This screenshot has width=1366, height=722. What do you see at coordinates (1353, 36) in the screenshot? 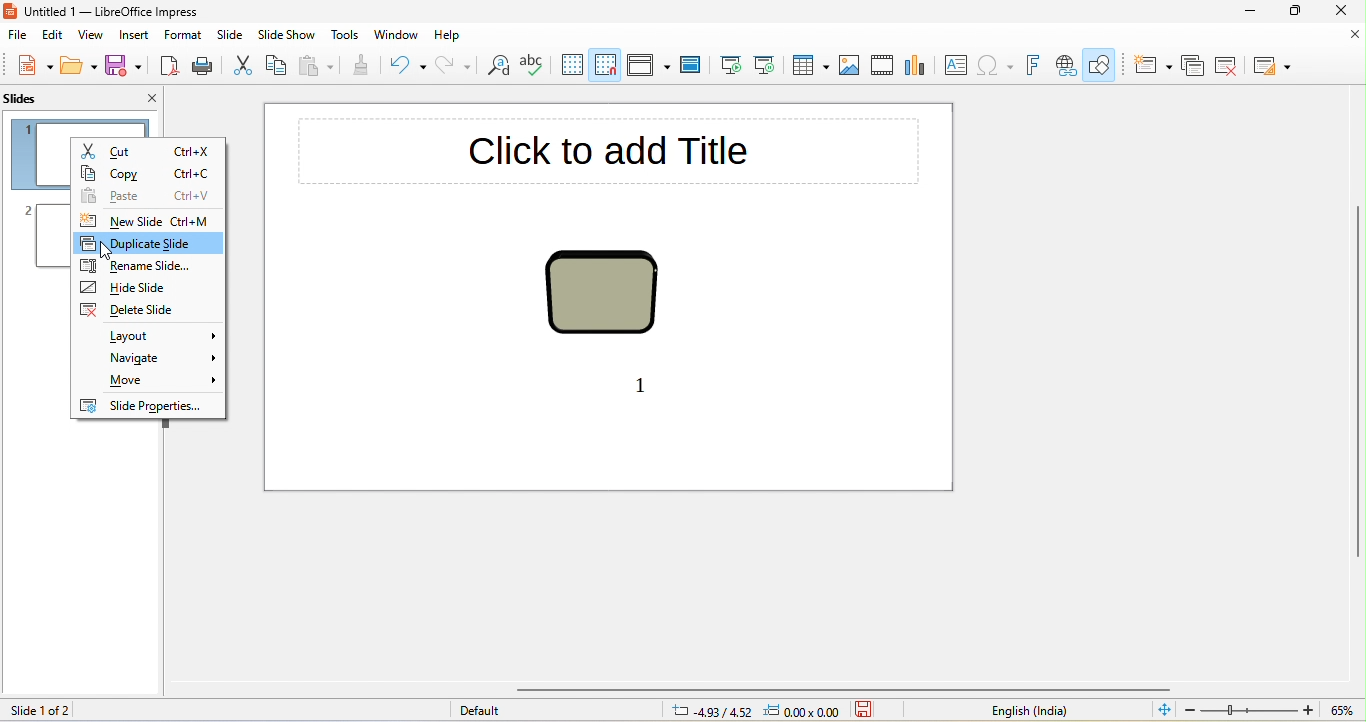
I see `close` at bounding box center [1353, 36].